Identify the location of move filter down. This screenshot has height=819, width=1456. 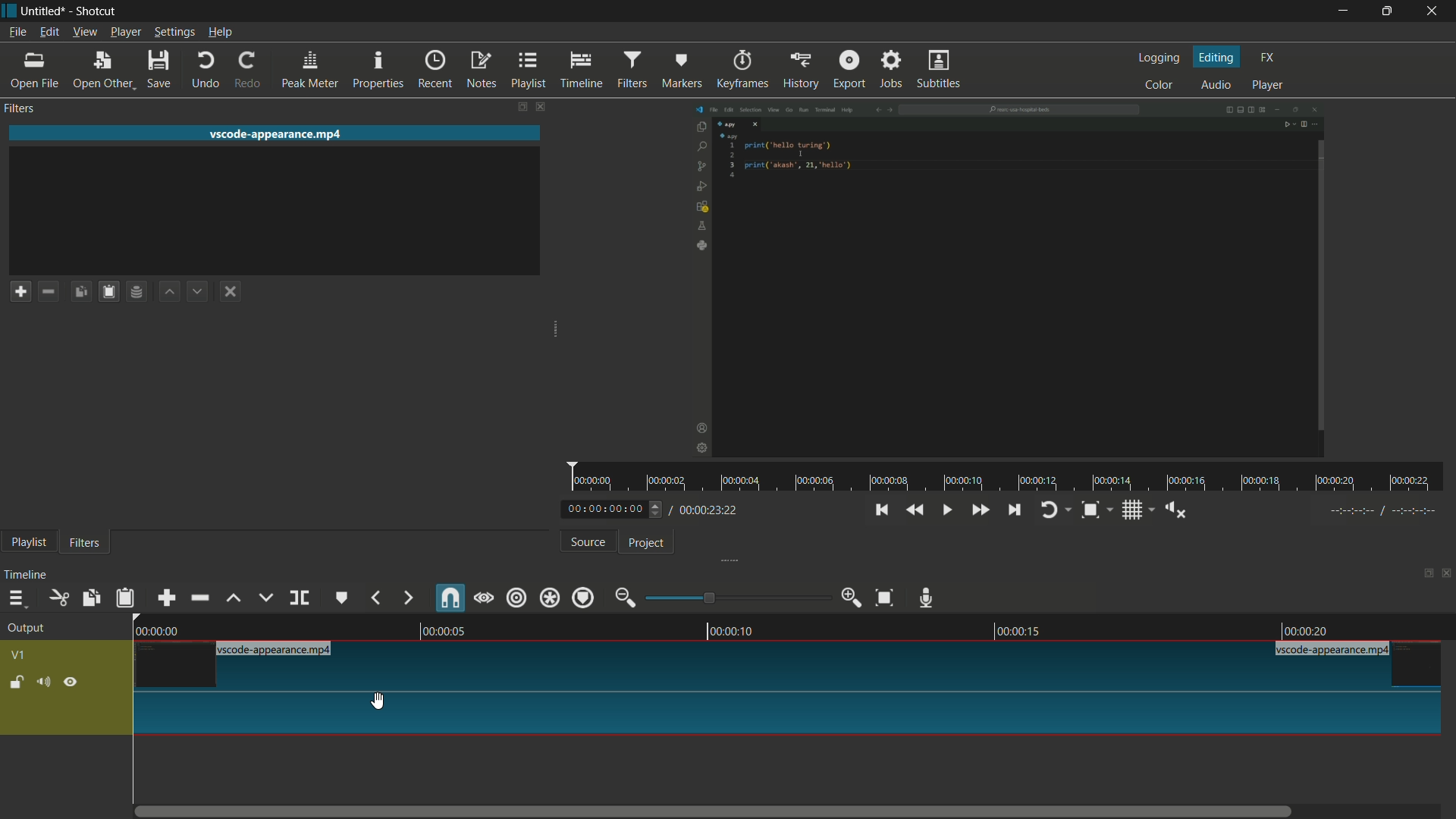
(199, 292).